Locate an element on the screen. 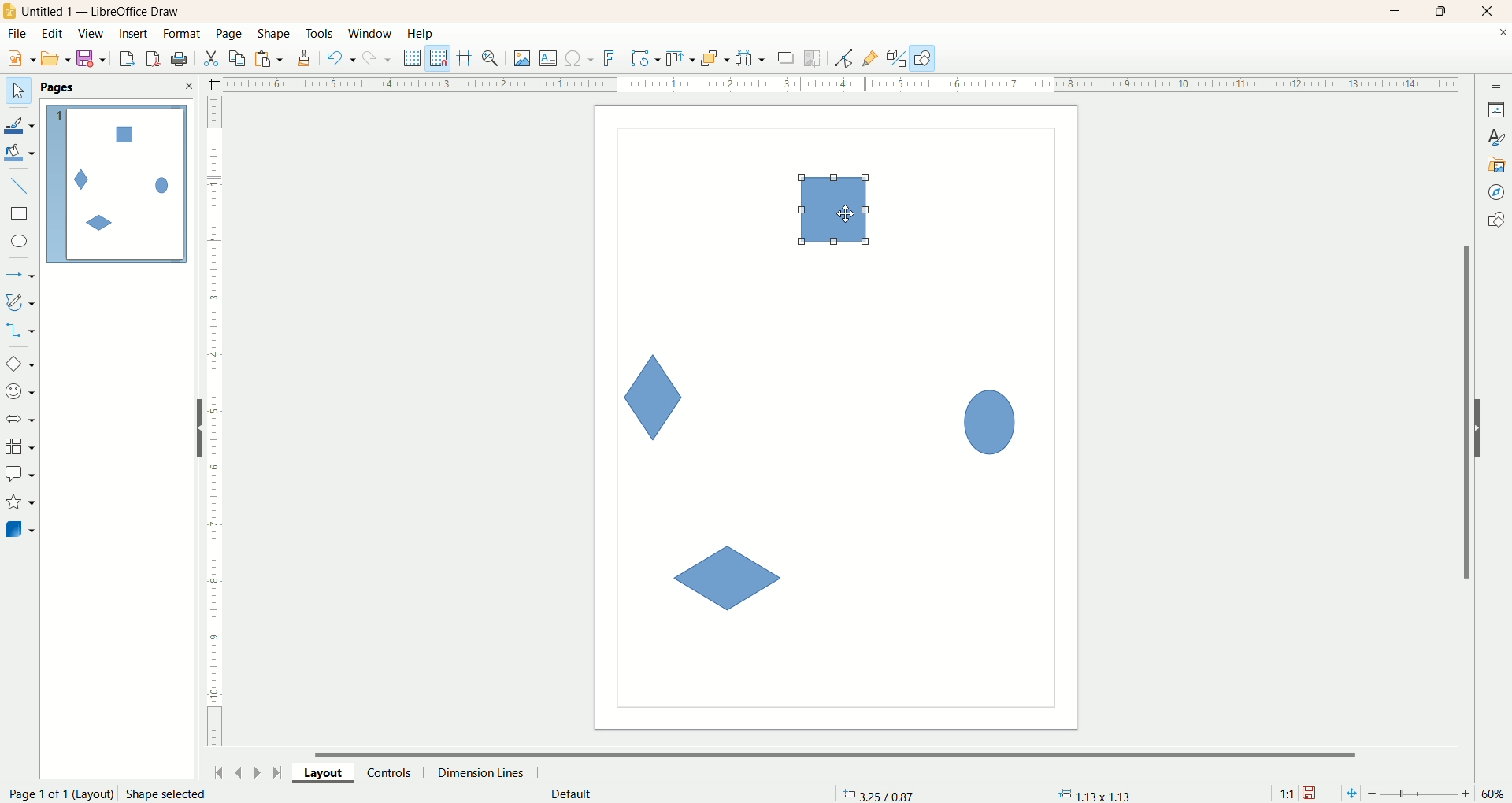 The image size is (1512, 803). rectangle is located at coordinates (21, 214).